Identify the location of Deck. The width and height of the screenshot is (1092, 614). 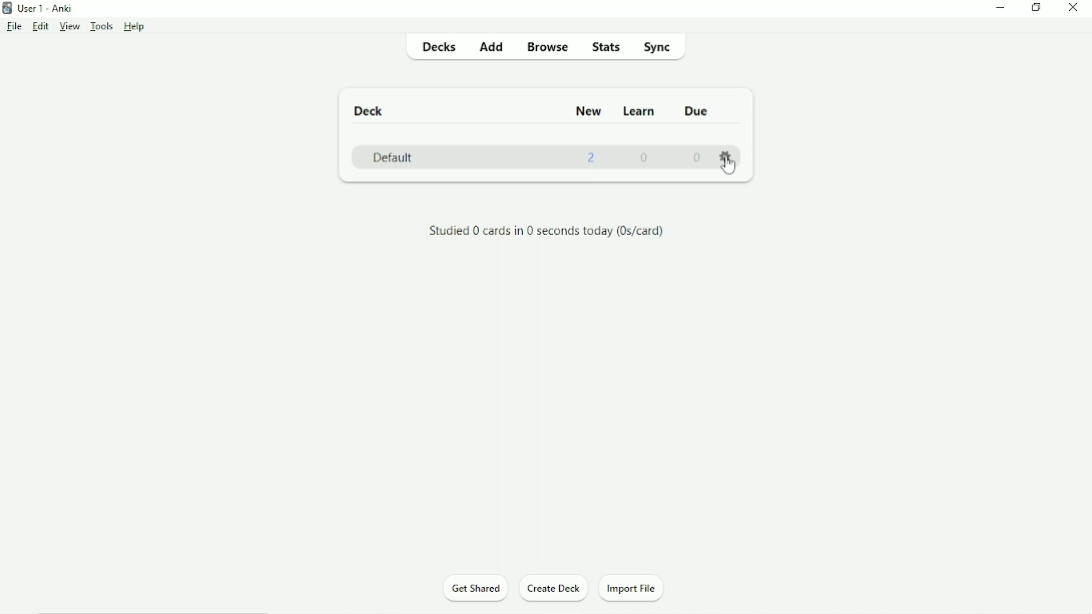
(372, 111).